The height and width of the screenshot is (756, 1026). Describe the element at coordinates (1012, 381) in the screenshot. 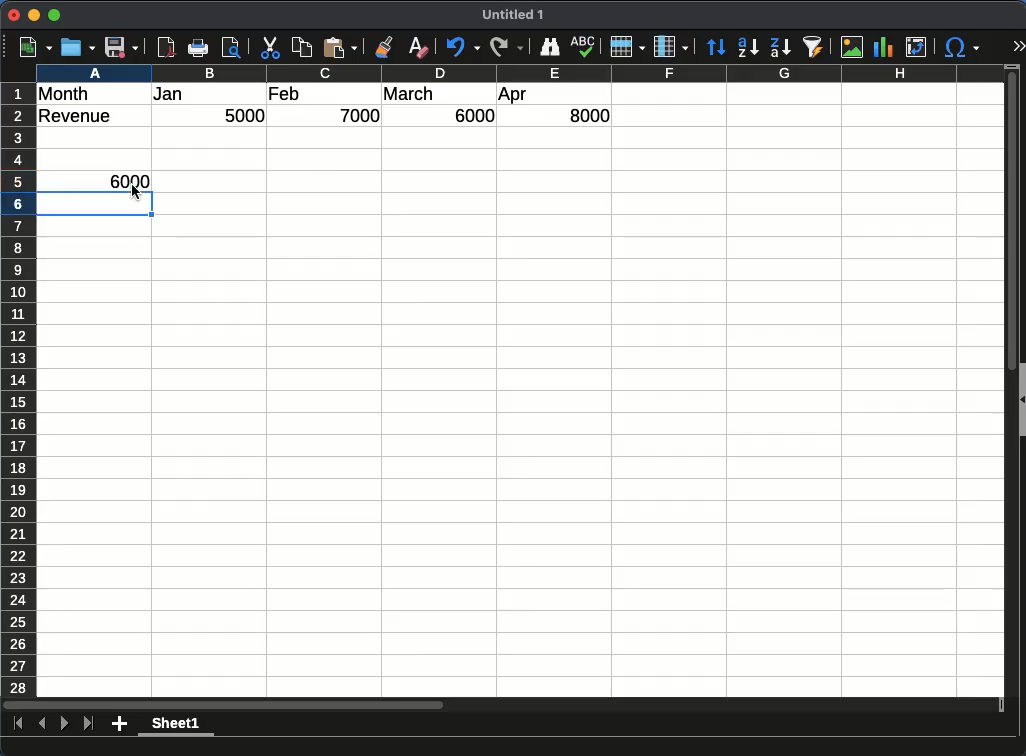

I see `Vertical scroll` at that location.